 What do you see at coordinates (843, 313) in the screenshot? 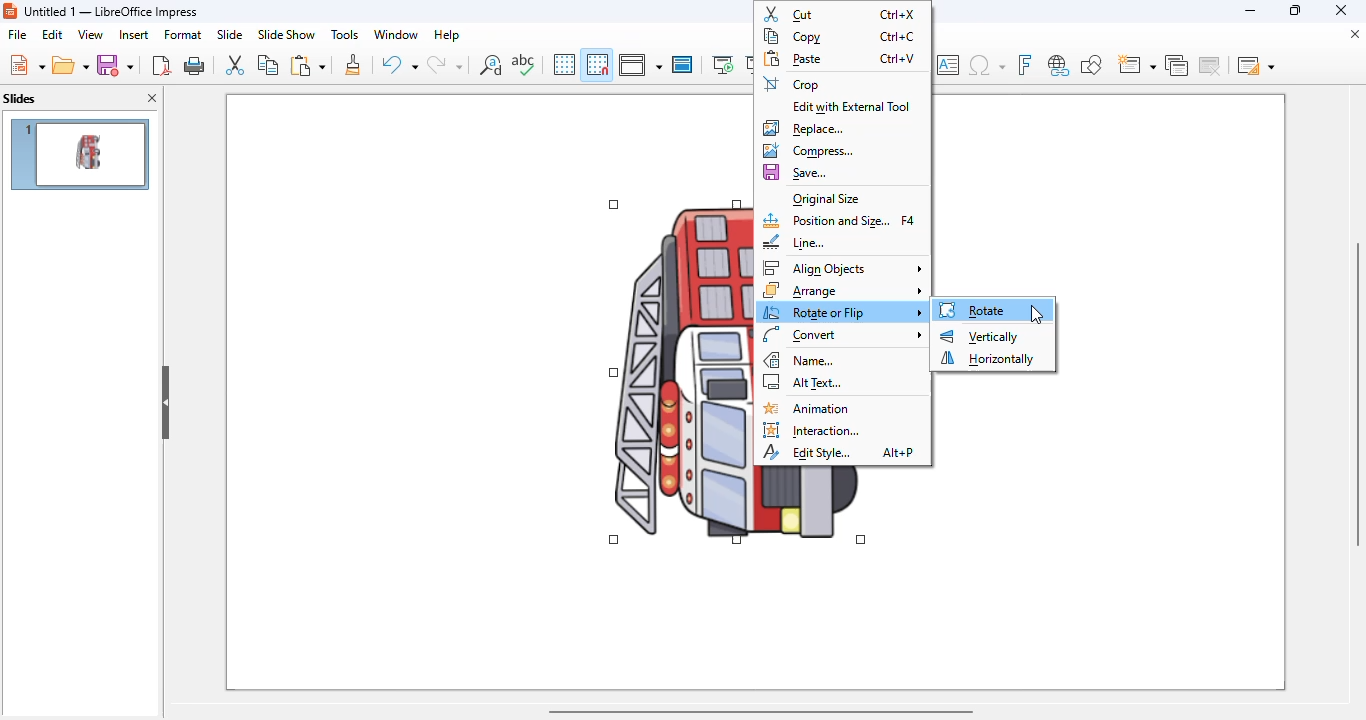
I see `rotate or flip` at bounding box center [843, 313].